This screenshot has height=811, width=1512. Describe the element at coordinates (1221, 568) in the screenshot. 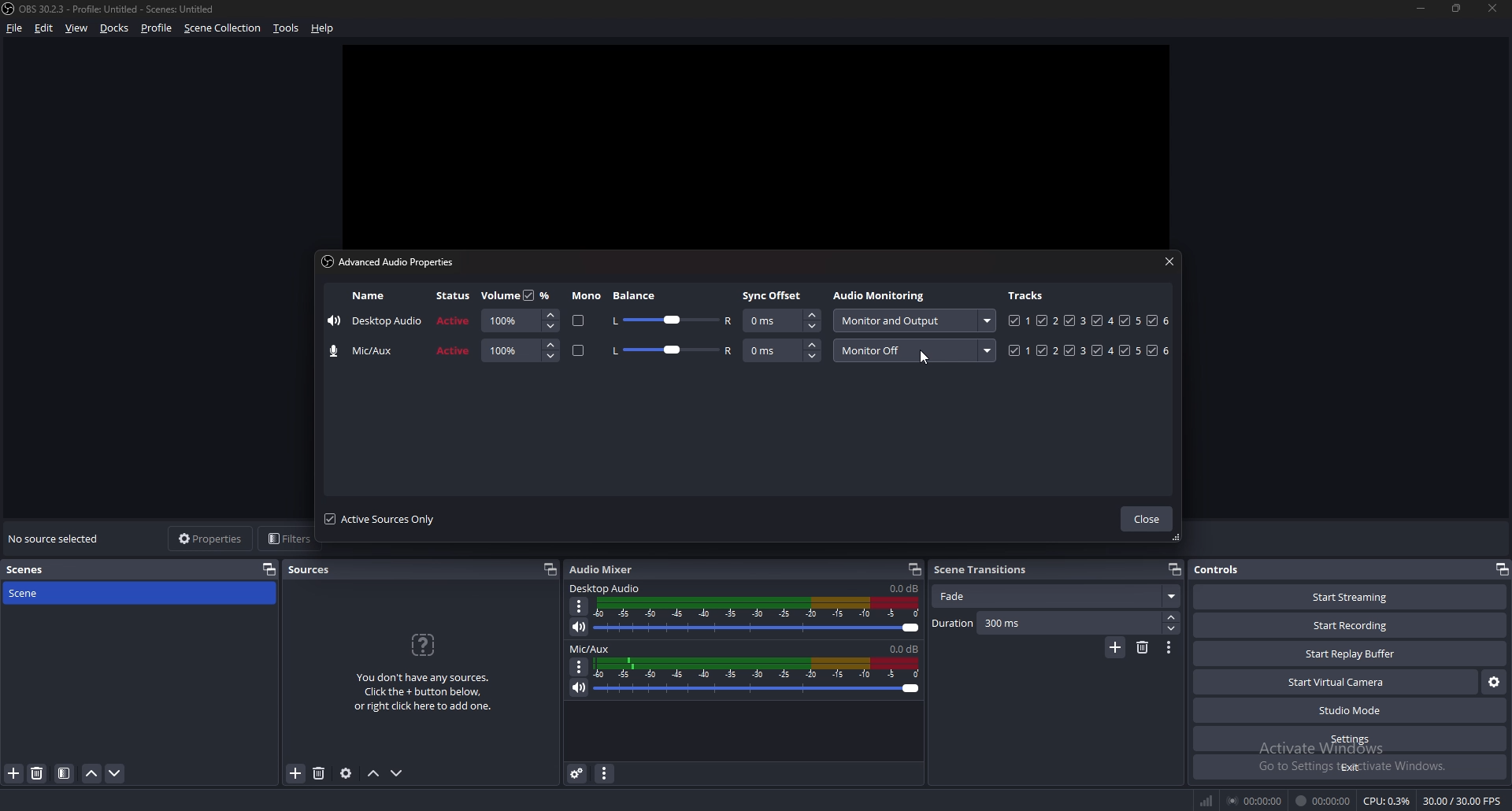

I see `controls` at that location.